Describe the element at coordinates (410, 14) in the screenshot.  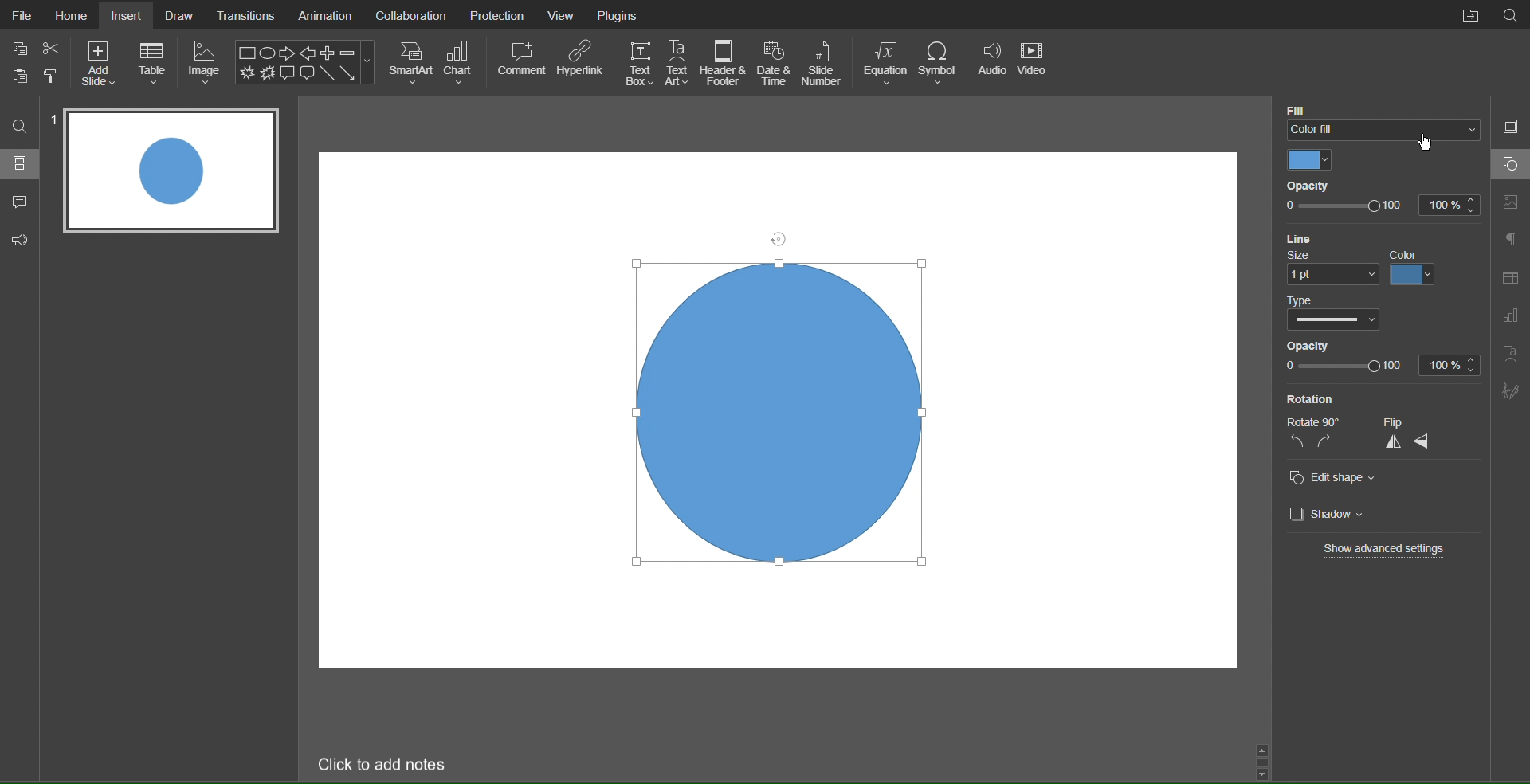
I see `Collaboration` at that location.